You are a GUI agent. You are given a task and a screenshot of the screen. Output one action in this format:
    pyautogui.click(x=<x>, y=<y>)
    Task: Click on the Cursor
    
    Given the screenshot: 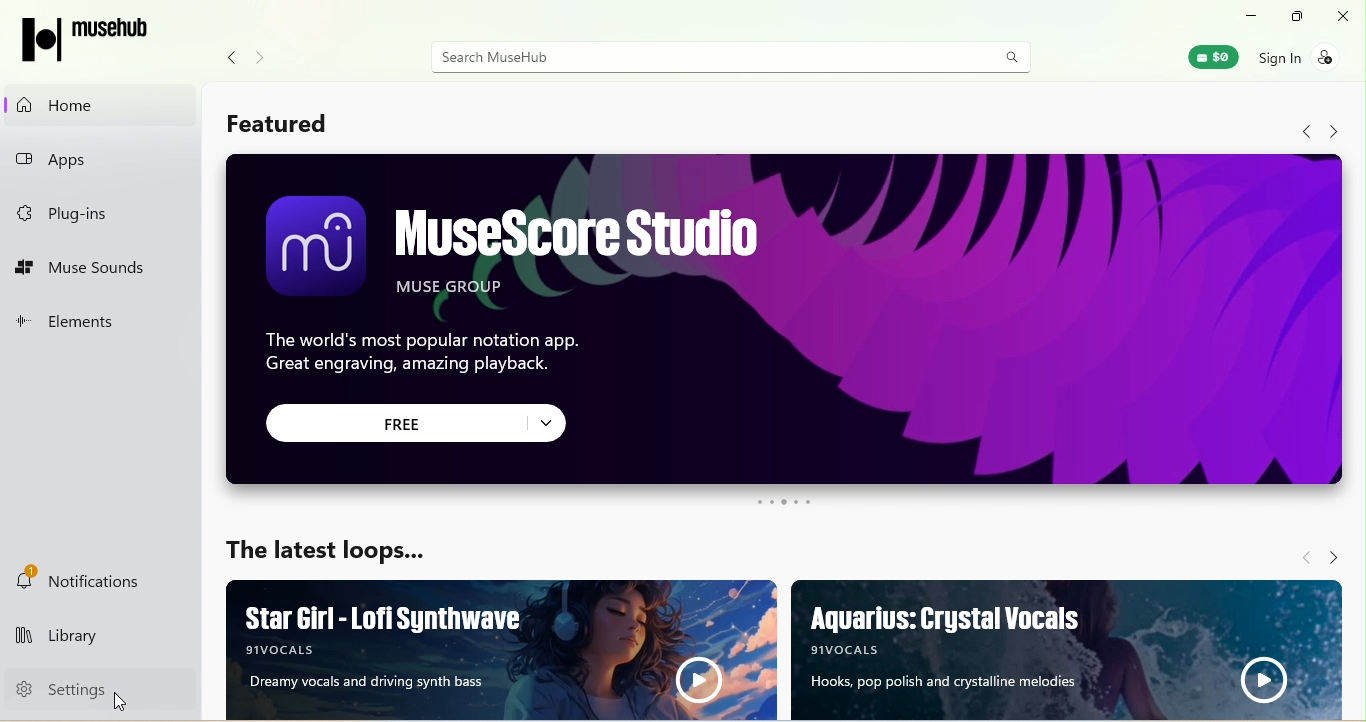 What is the action you would take?
    pyautogui.click(x=125, y=702)
    